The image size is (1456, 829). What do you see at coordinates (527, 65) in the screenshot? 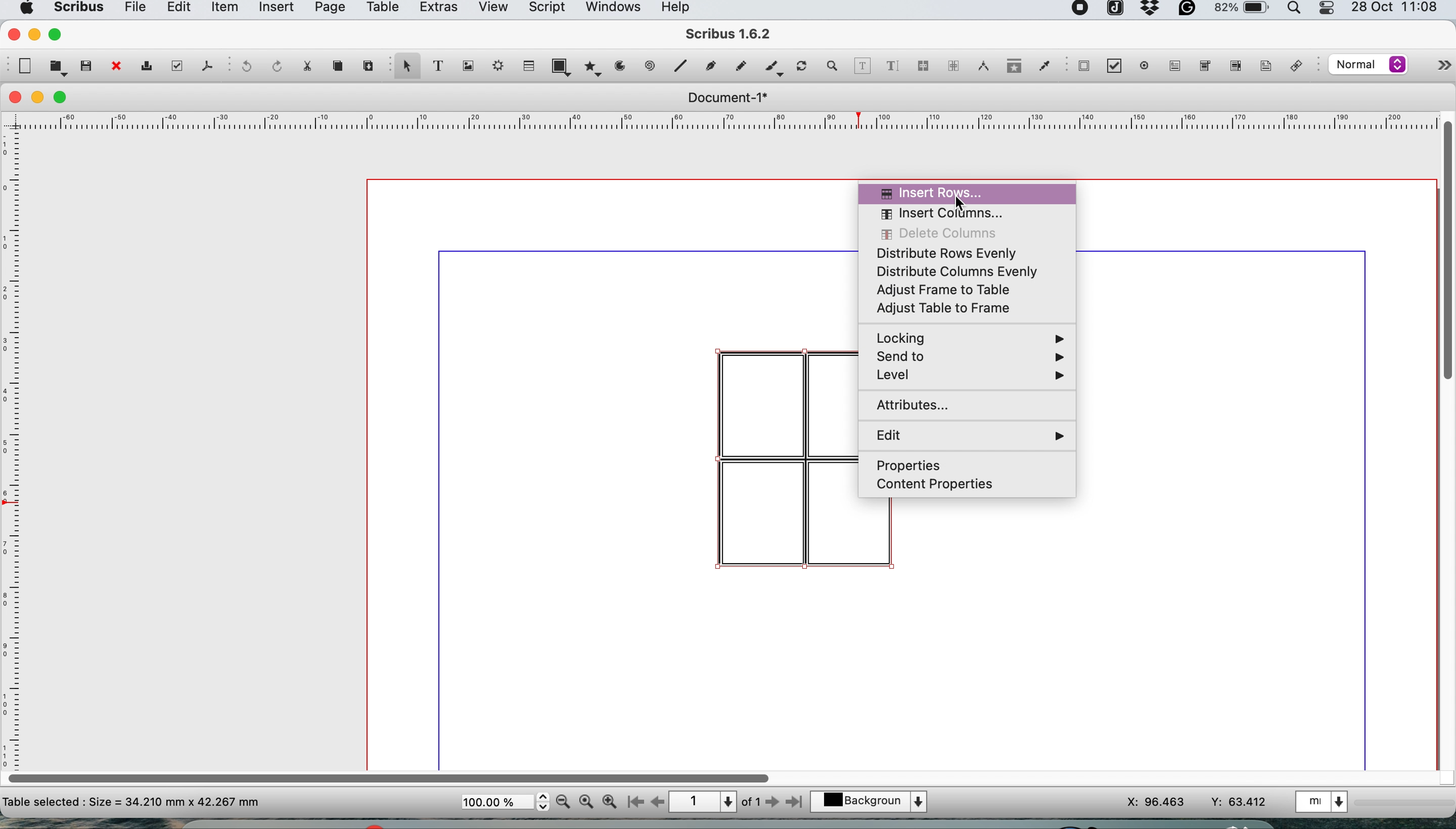
I see `table` at bounding box center [527, 65].